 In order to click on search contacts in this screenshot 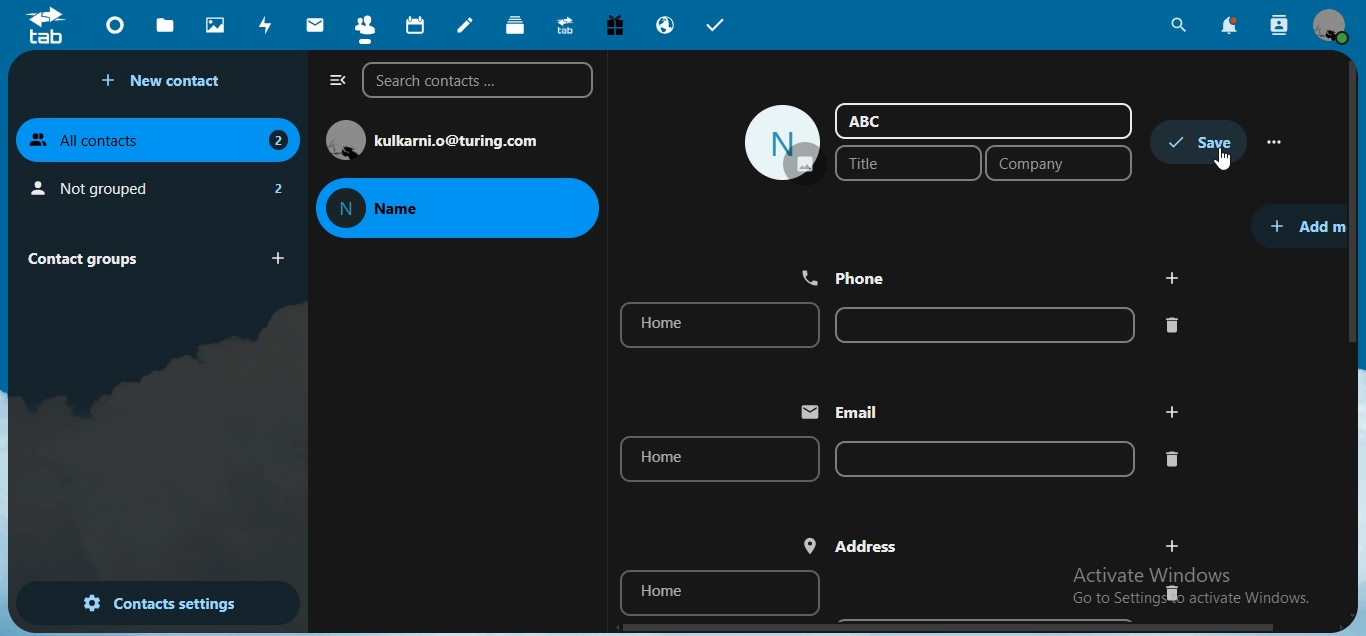, I will do `click(476, 82)`.